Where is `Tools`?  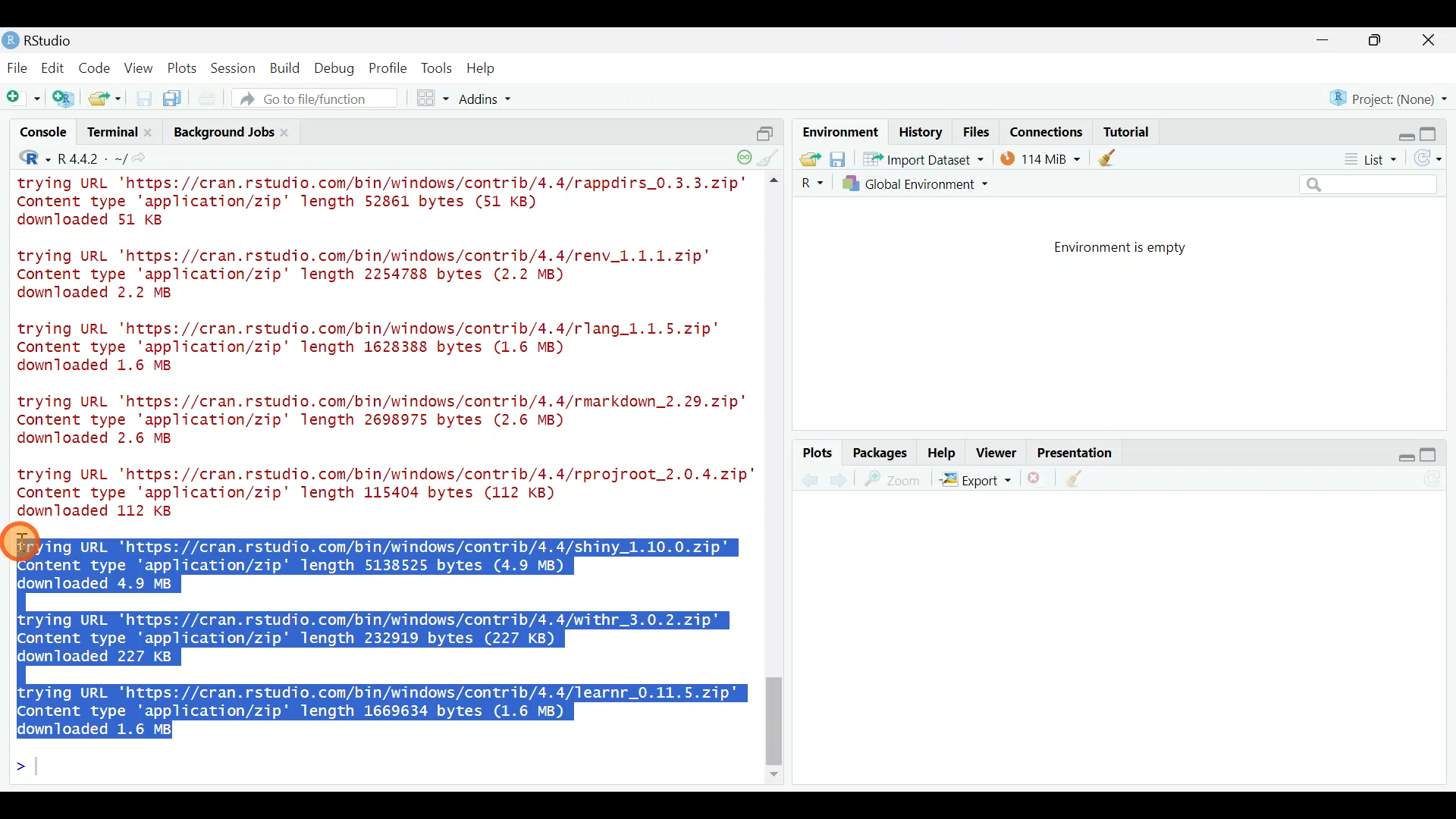
Tools is located at coordinates (438, 67).